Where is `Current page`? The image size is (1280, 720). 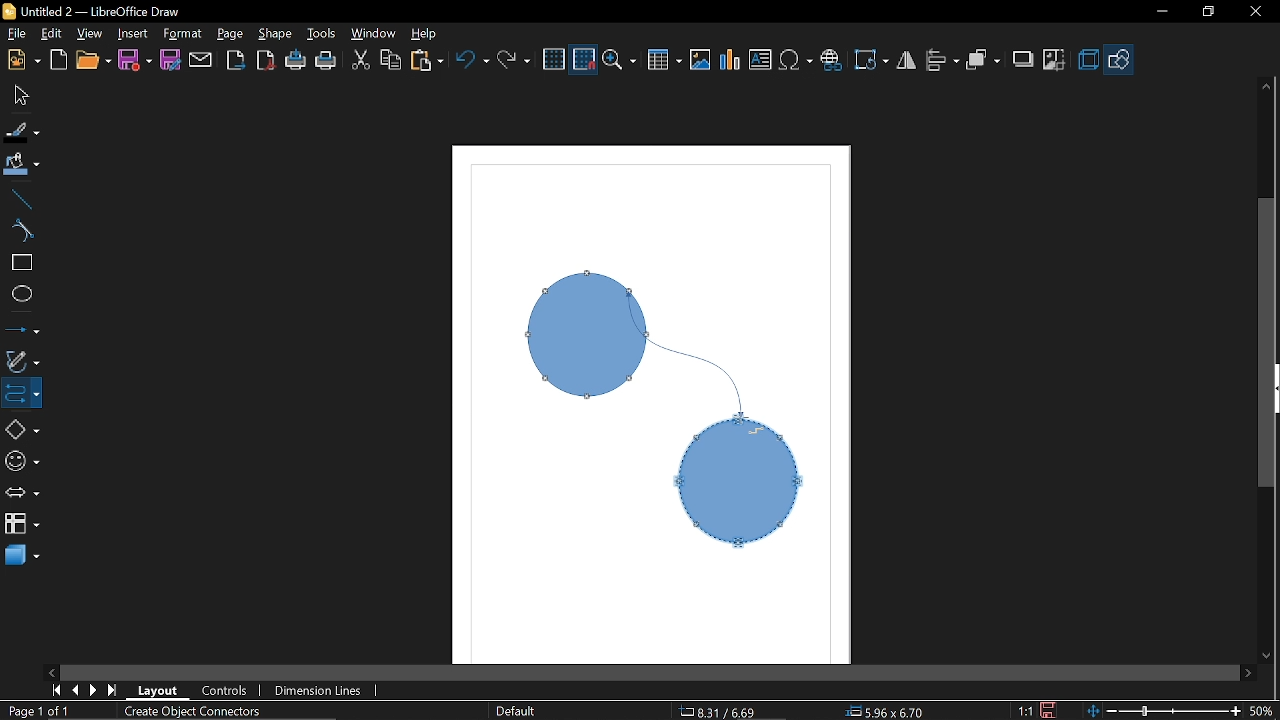
Current page is located at coordinates (38, 712).